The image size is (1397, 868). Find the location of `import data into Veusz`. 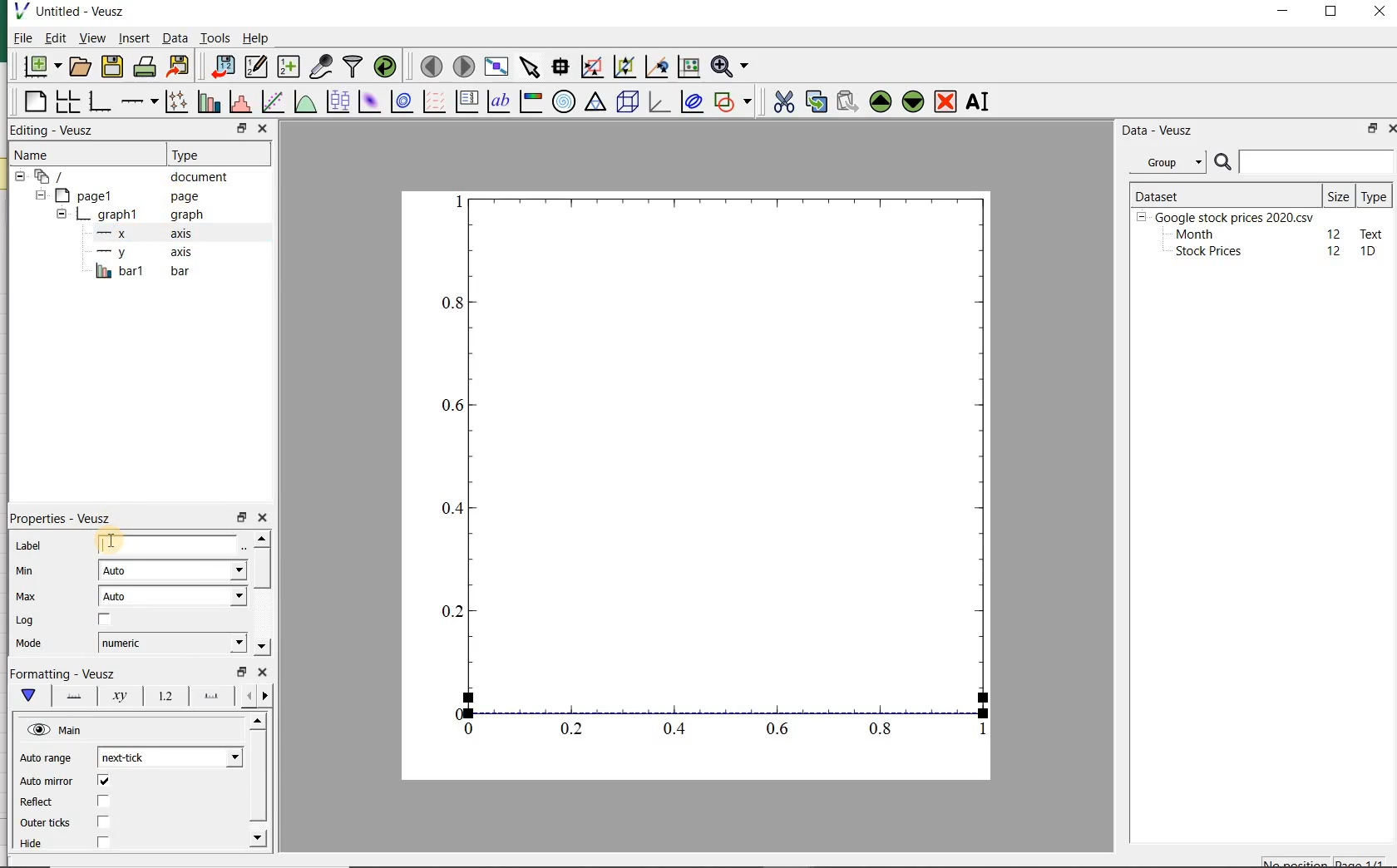

import data into Veusz is located at coordinates (220, 67).